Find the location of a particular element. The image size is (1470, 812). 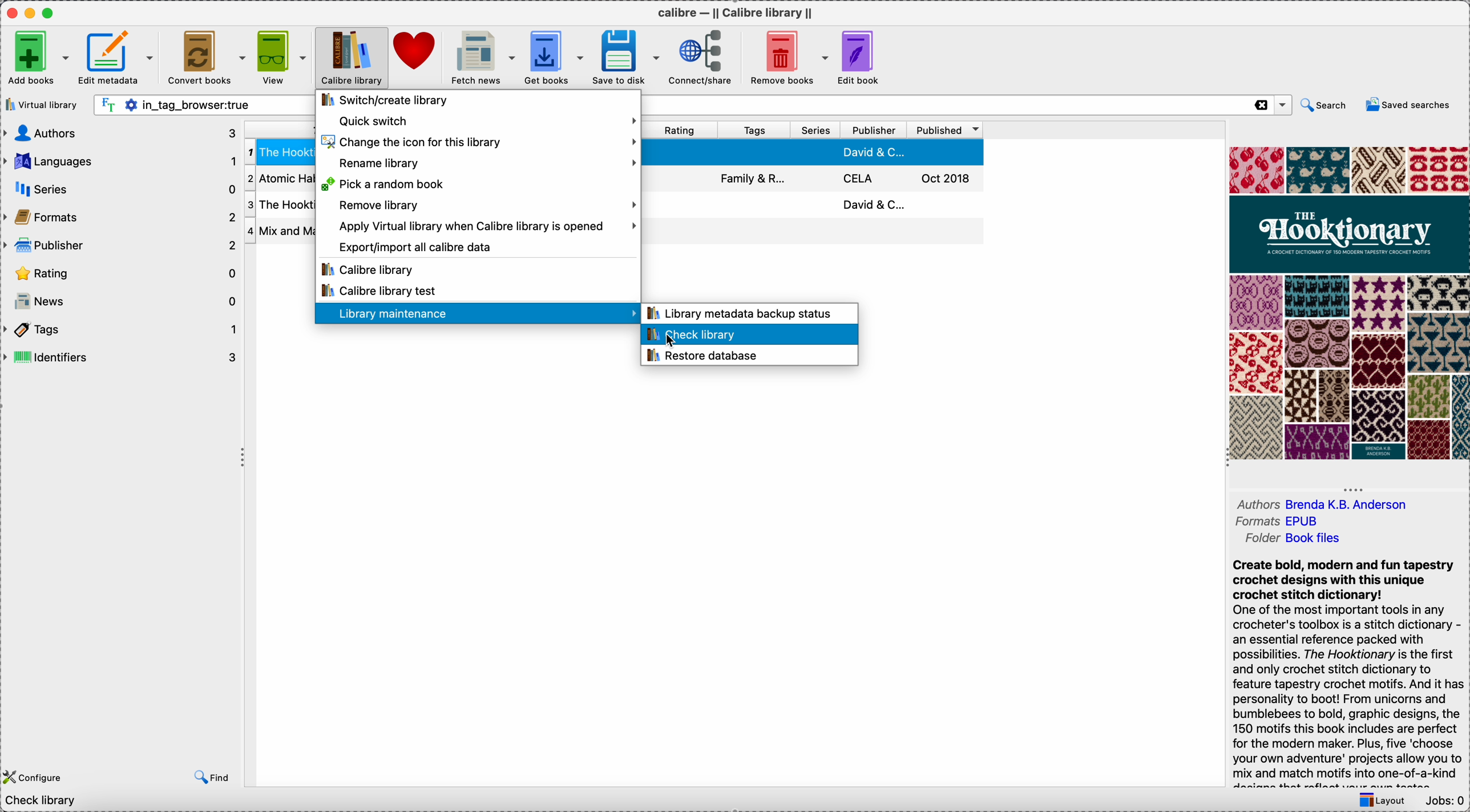

save to disk is located at coordinates (627, 58).